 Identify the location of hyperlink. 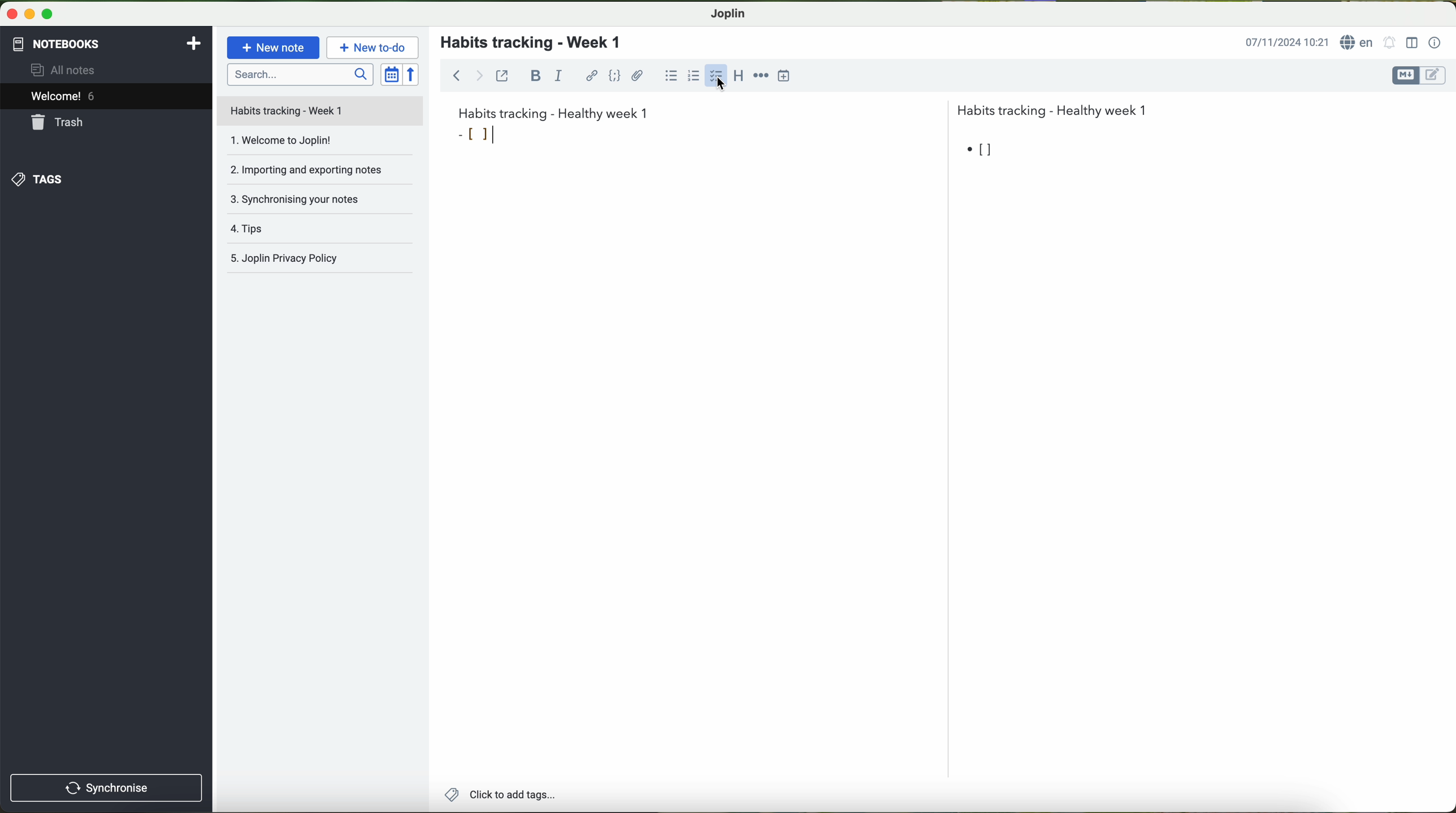
(592, 76).